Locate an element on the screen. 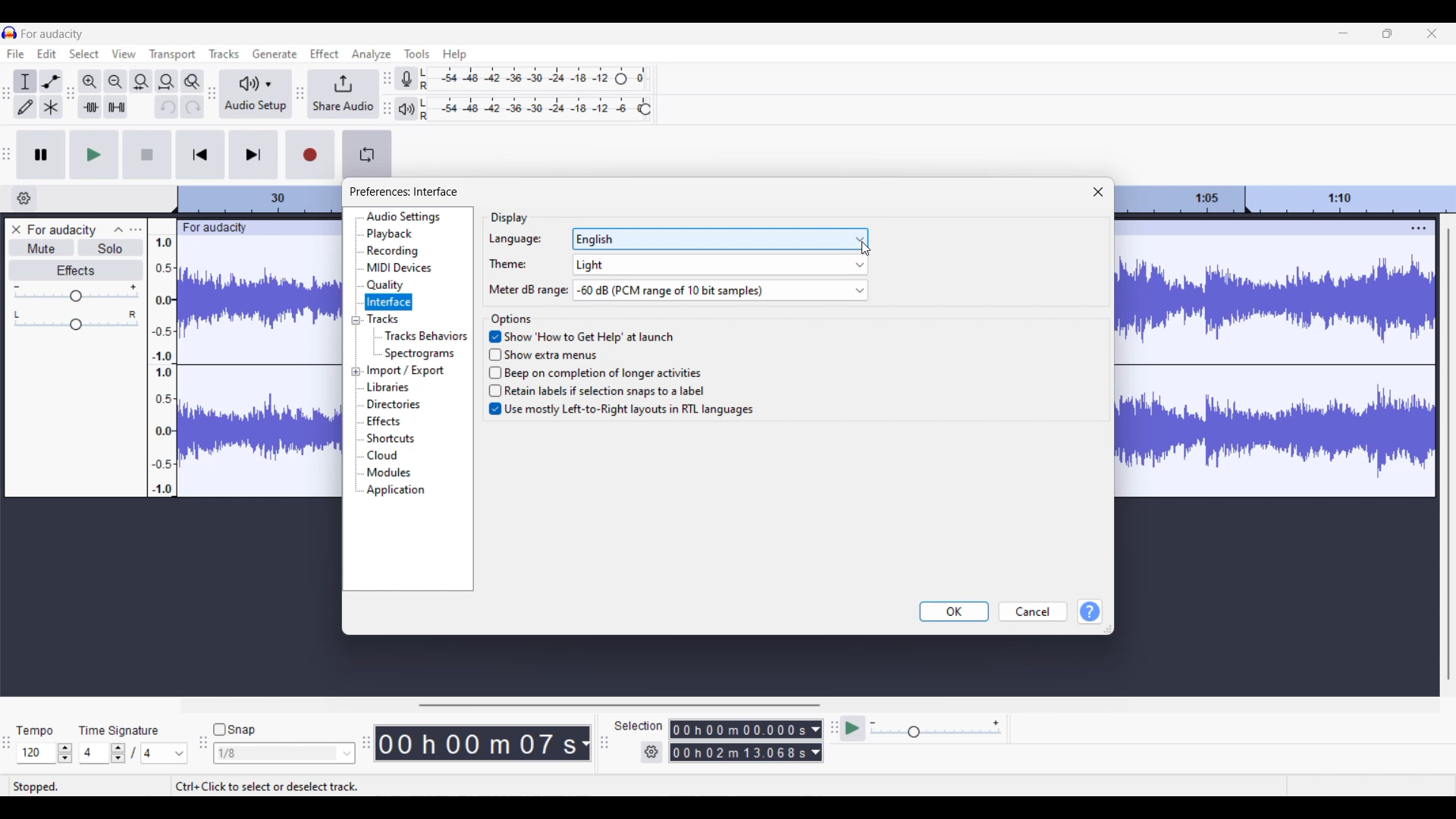  Import/Export is located at coordinates (406, 371).